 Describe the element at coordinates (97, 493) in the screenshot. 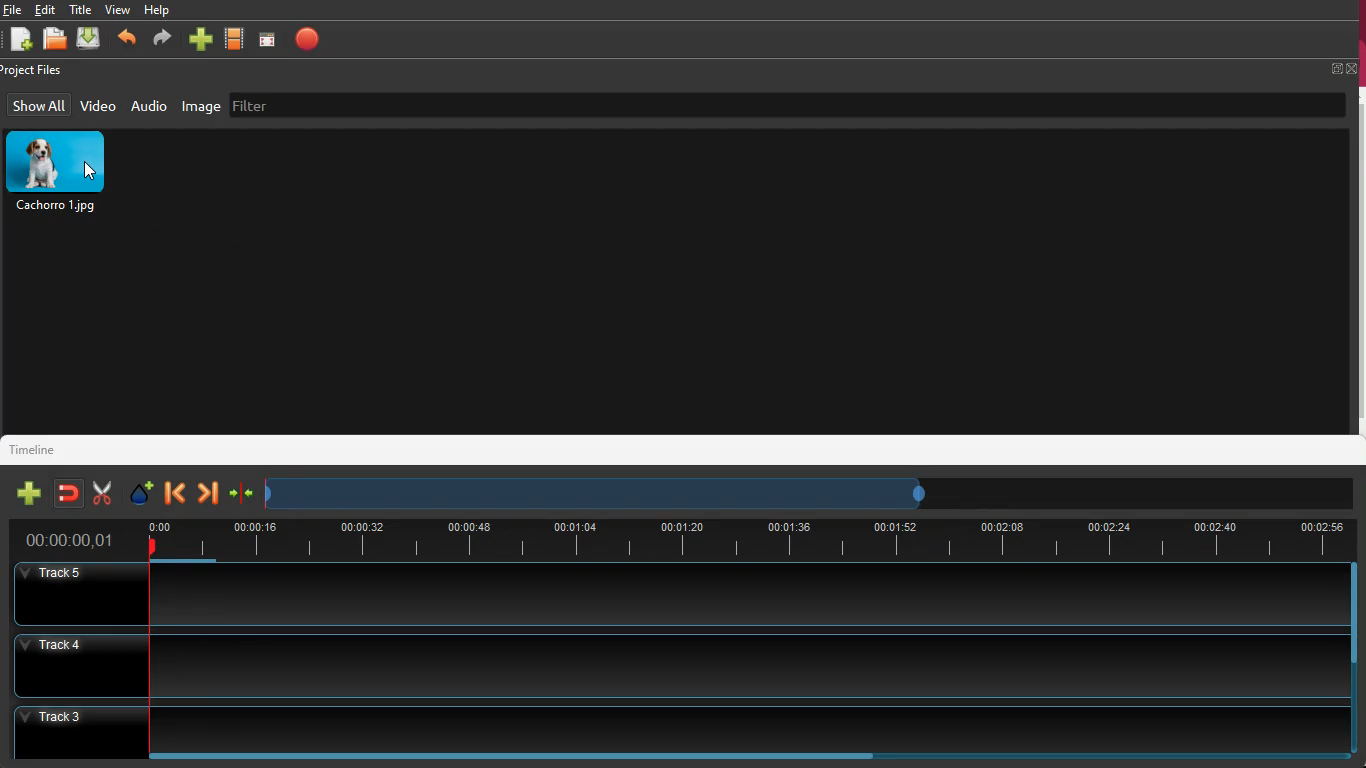

I see `cut` at that location.